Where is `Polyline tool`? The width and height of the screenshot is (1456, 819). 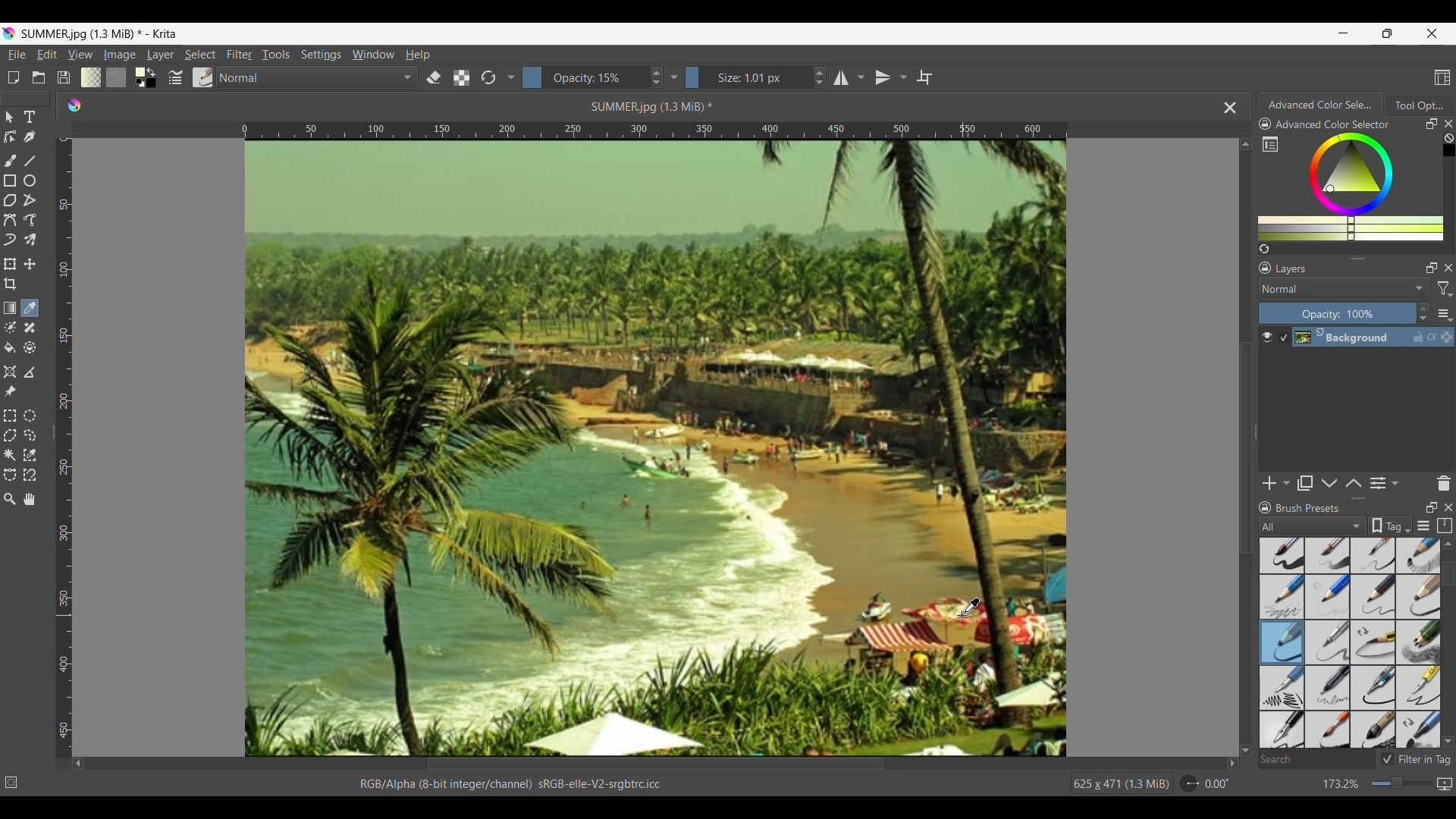 Polyline tool is located at coordinates (30, 200).